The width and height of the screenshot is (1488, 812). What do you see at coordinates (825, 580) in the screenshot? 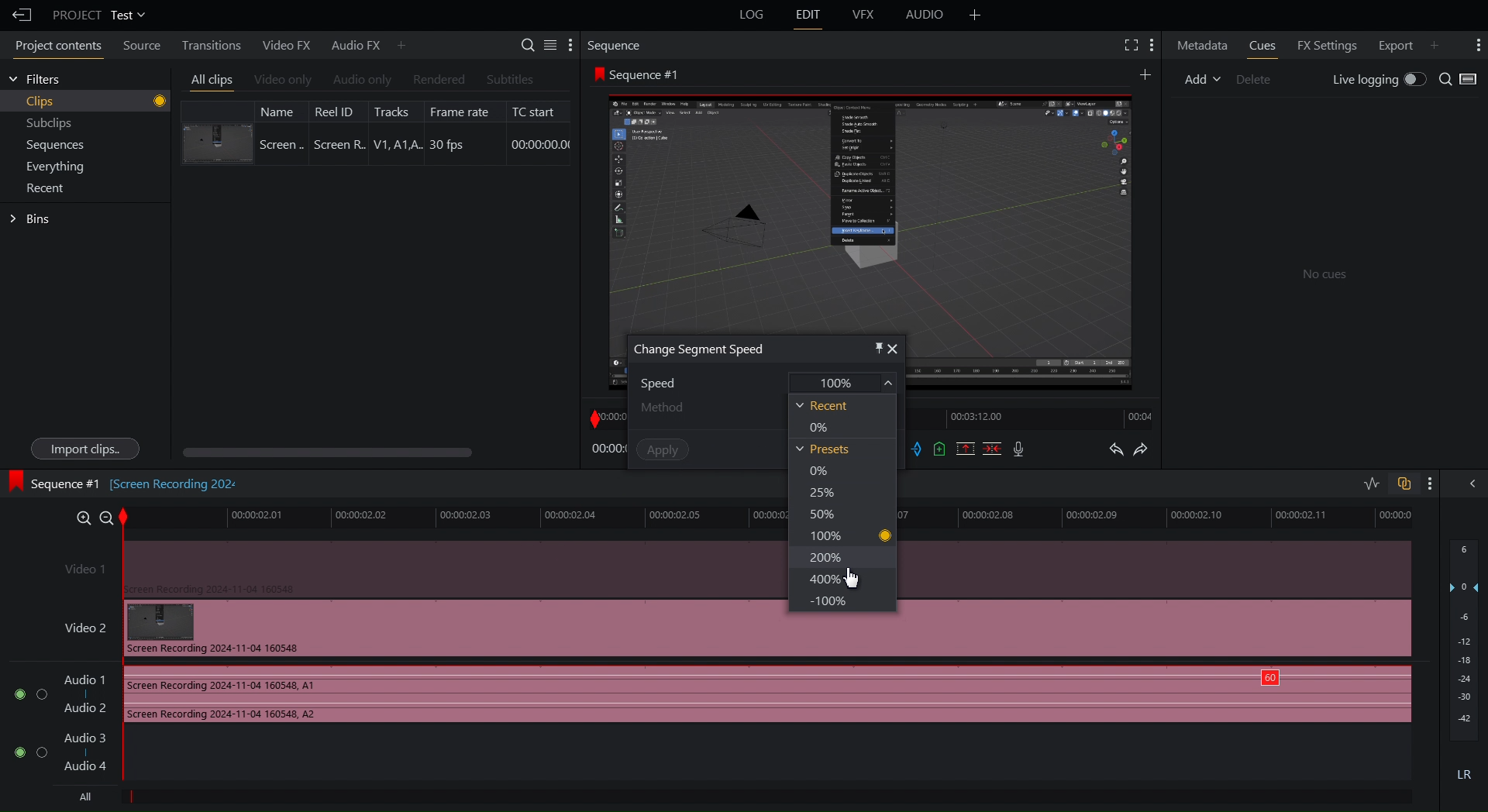
I see `400%` at bounding box center [825, 580].